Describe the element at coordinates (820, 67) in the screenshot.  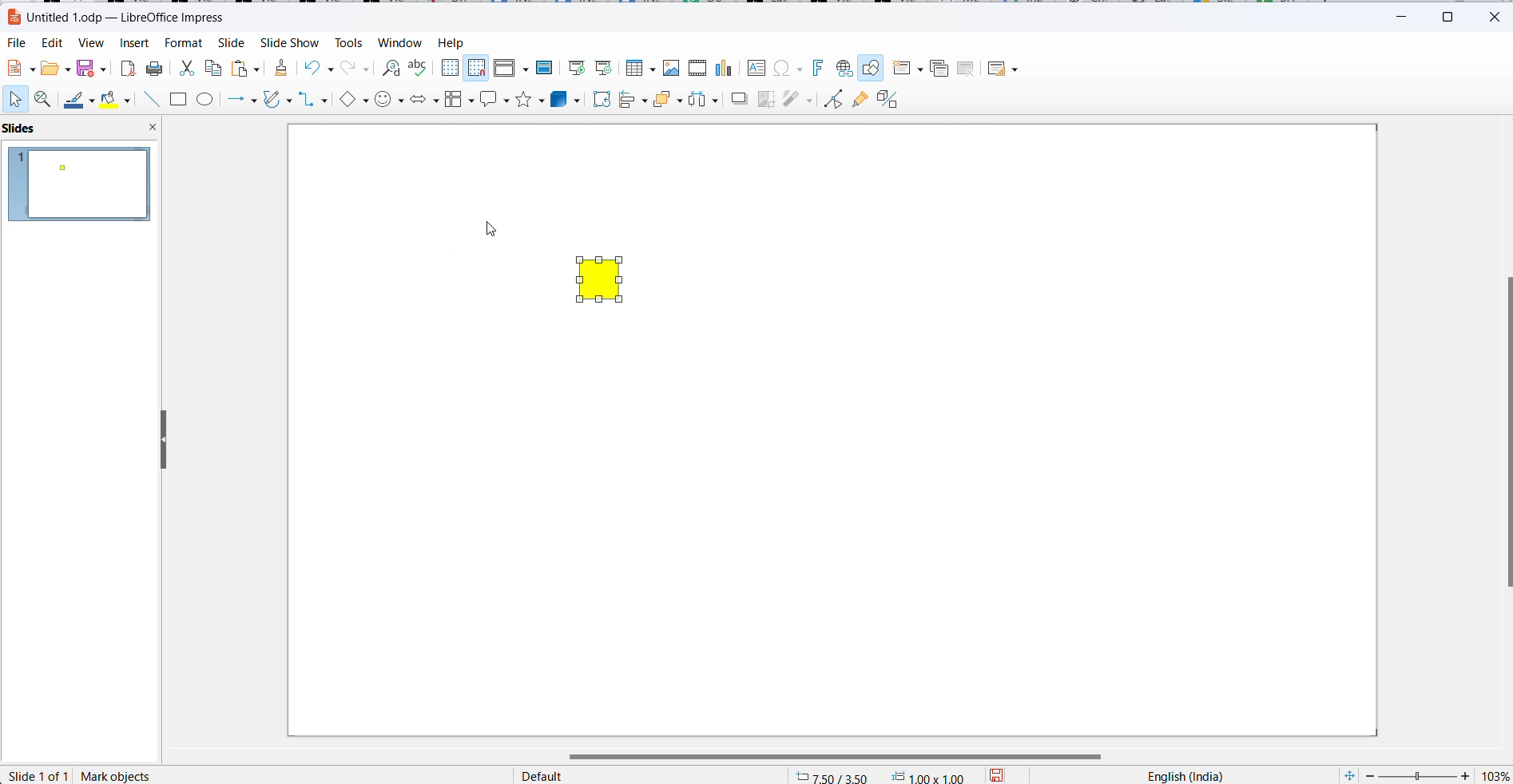
I see `Insert font work text` at that location.